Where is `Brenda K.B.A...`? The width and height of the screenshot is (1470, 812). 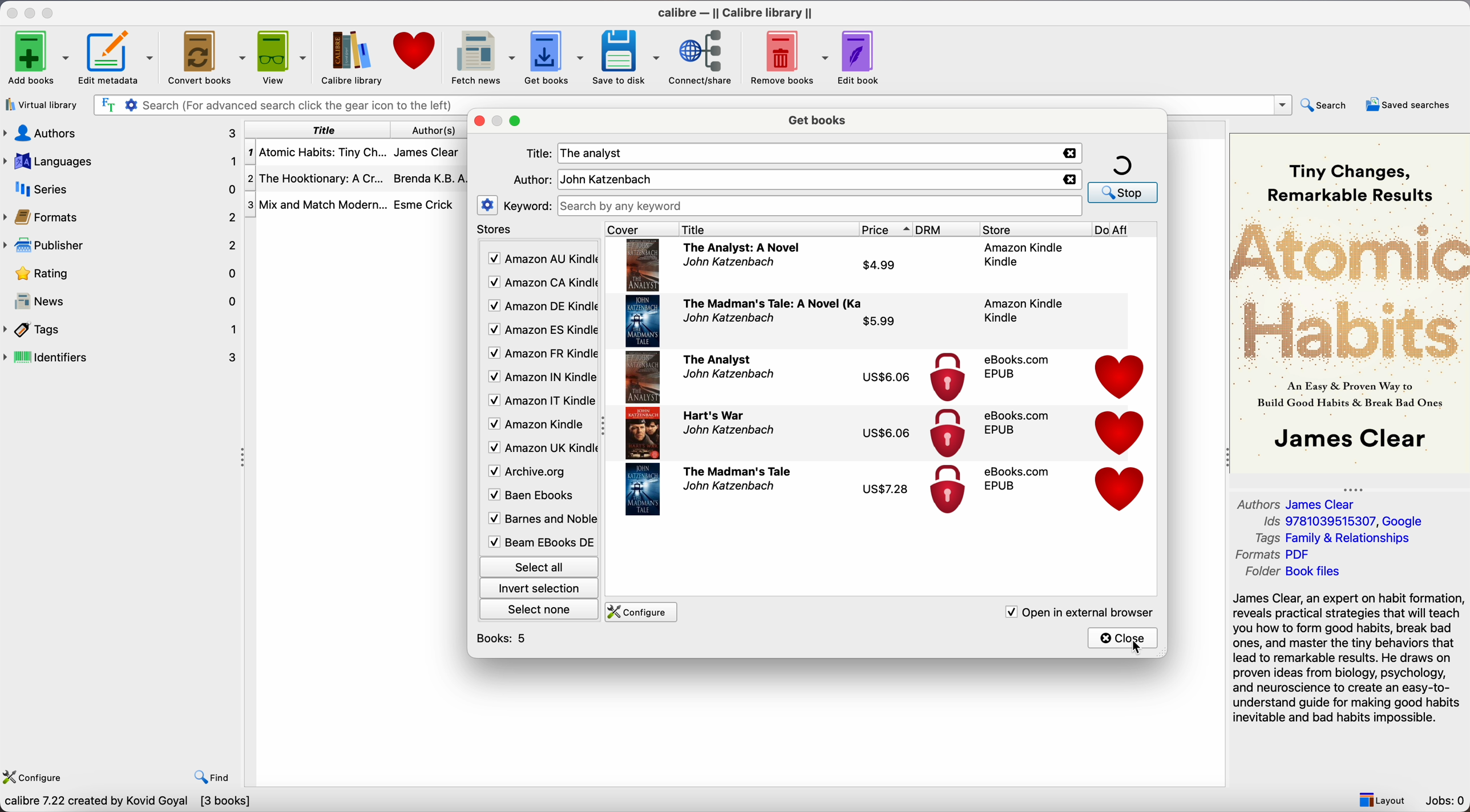 Brenda K.B.A... is located at coordinates (434, 178).